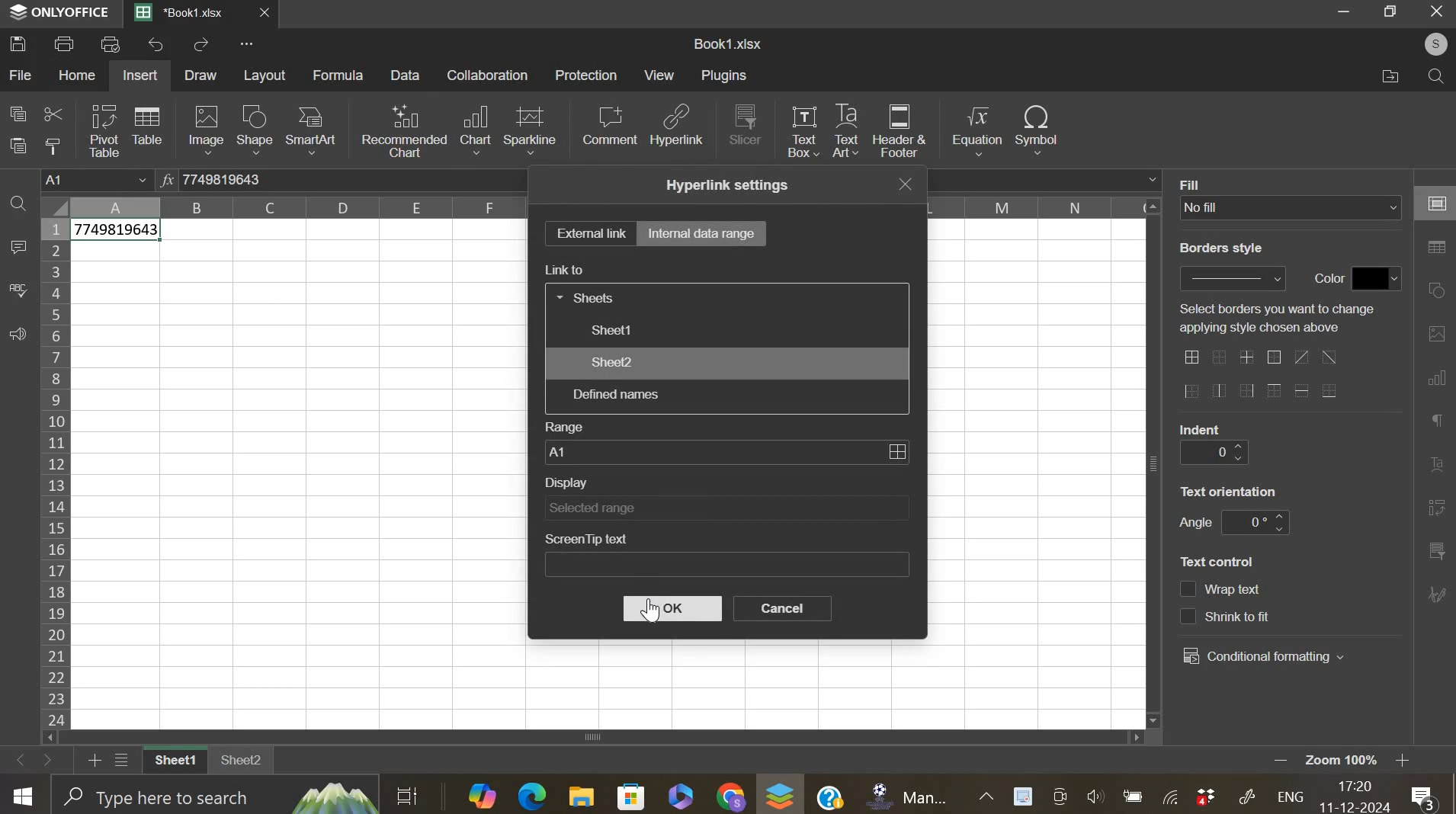 Image resolution: width=1456 pixels, height=814 pixels. What do you see at coordinates (1201, 428) in the screenshot?
I see `text` at bounding box center [1201, 428].